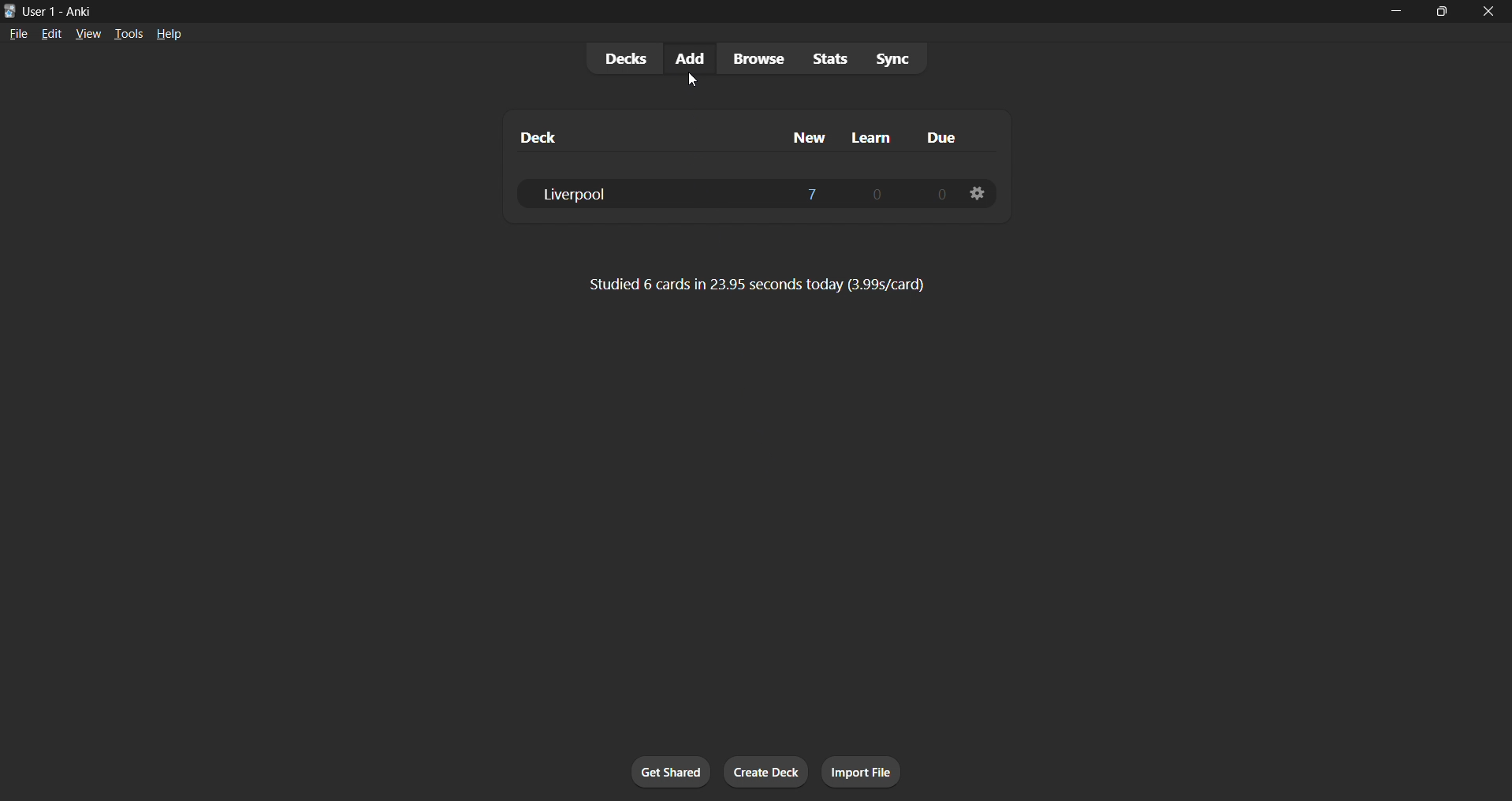  Describe the element at coordinates (622, 135) in the screenshot. I see `deck column` at that location.